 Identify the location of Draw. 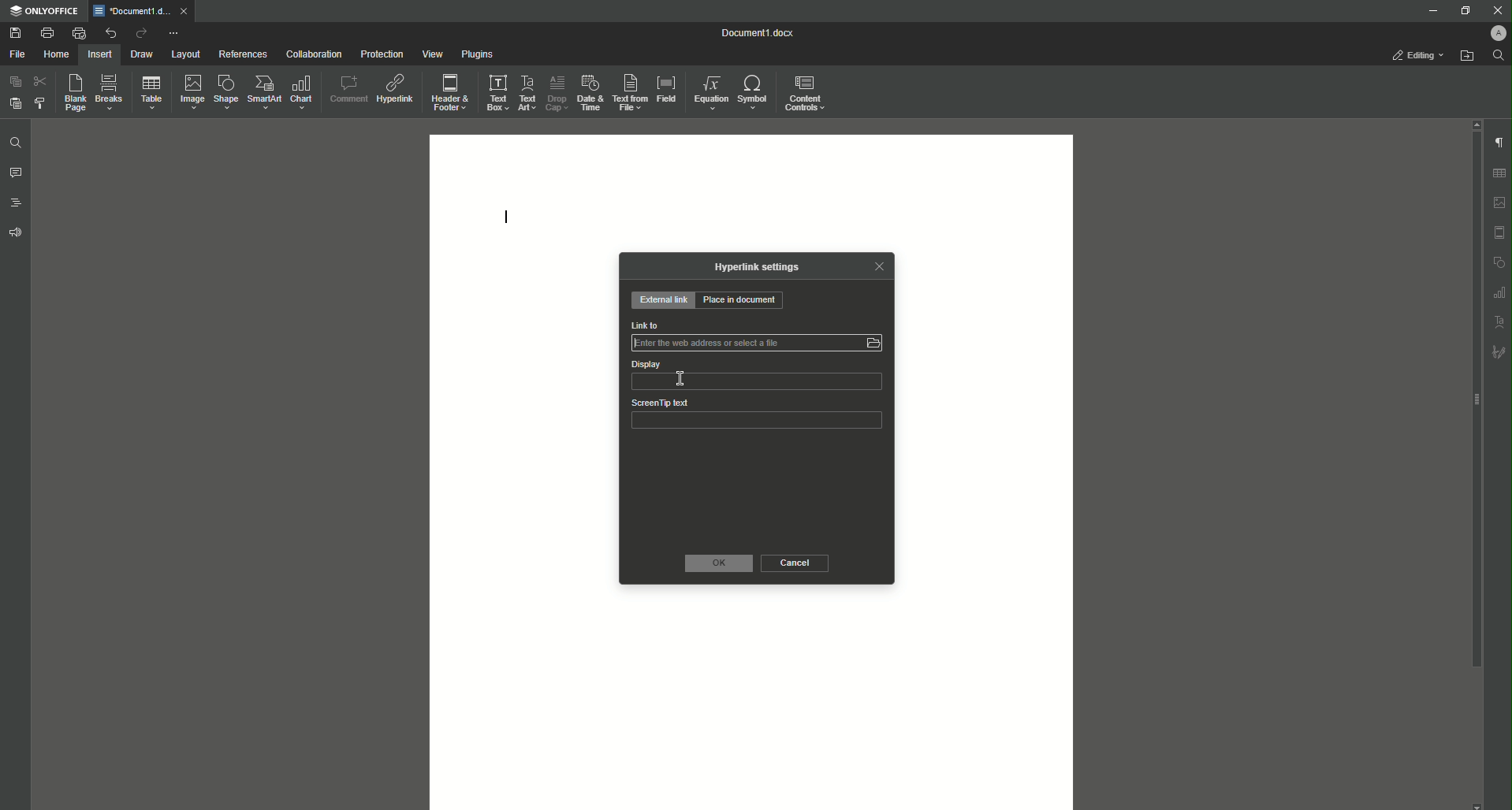
(143, 54).